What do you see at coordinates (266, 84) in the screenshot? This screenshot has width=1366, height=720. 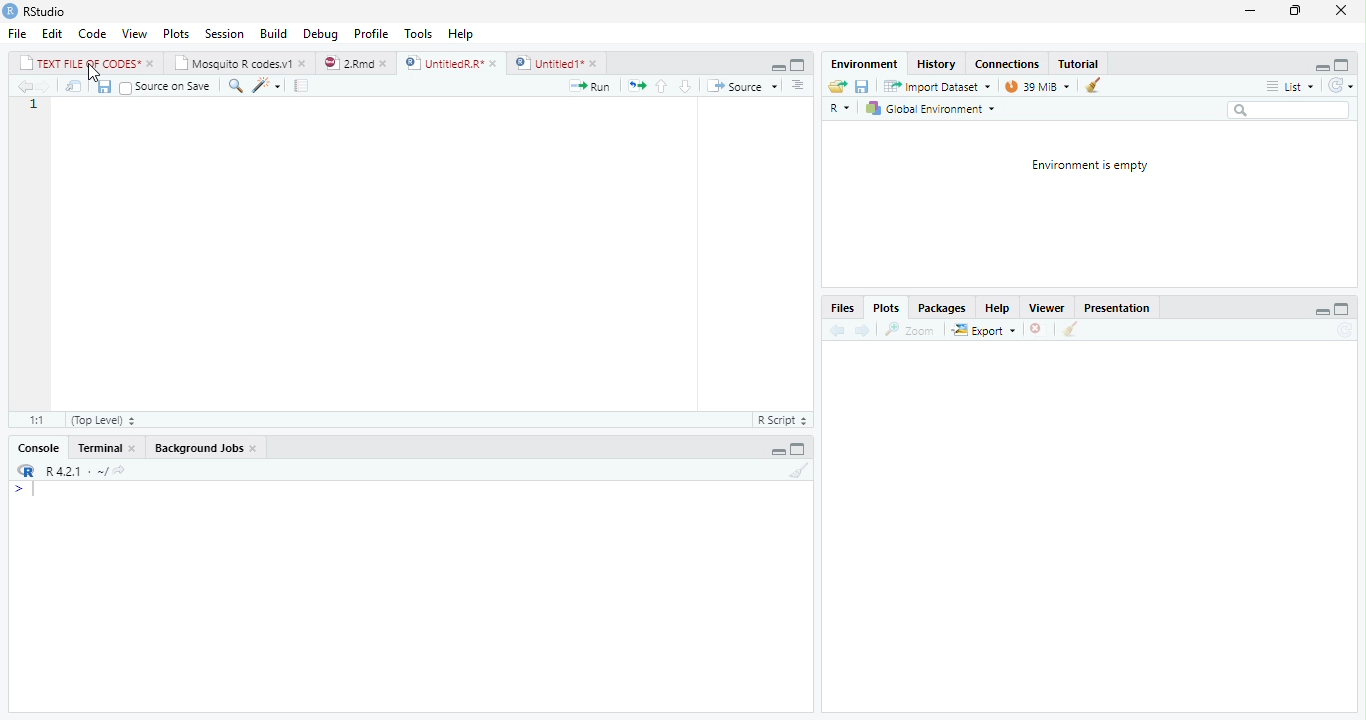 I see `Coding Tools` at bounding box center [266, 84].